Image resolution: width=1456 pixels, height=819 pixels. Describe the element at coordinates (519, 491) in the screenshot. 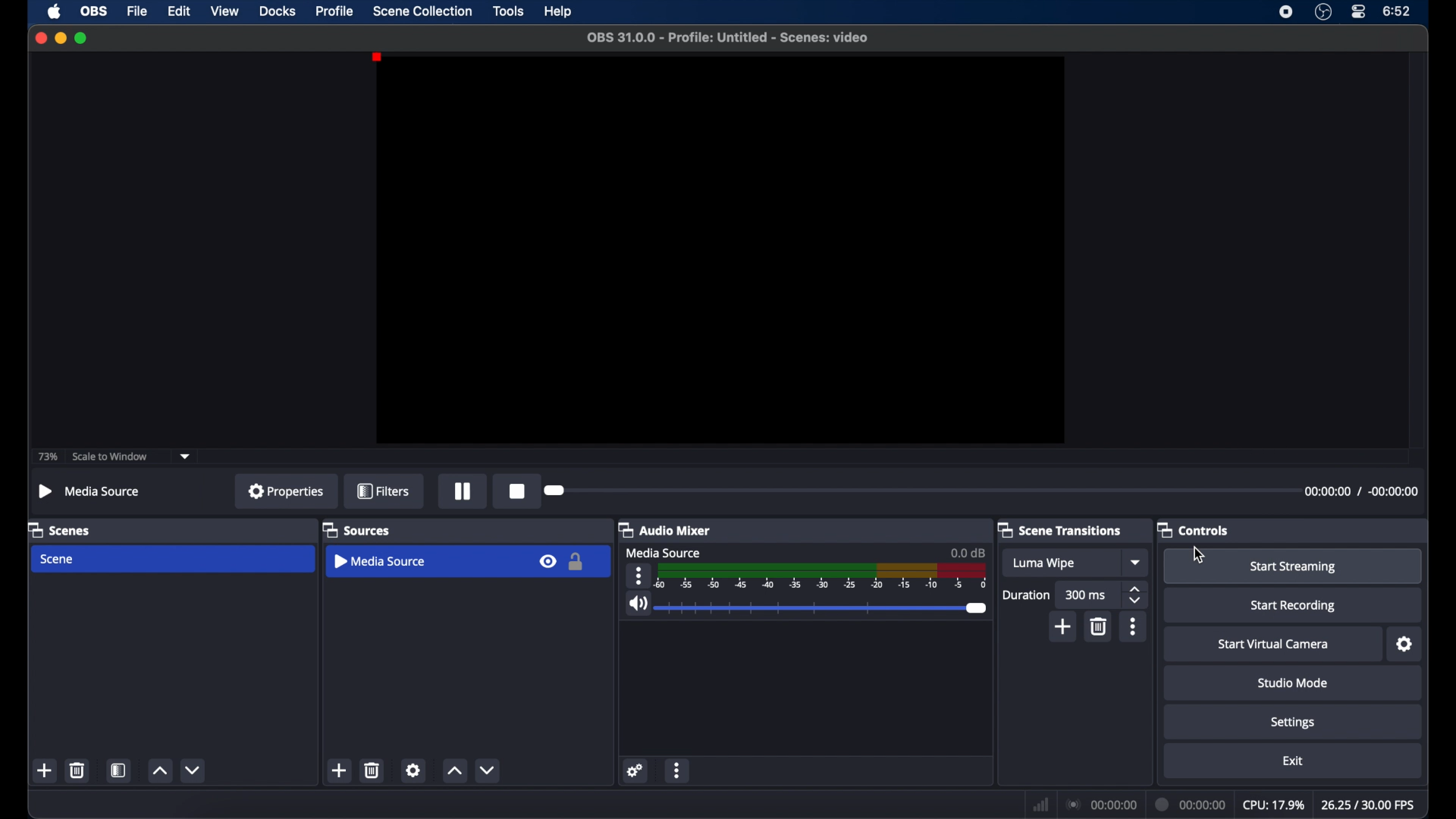

I see `record` at that location.